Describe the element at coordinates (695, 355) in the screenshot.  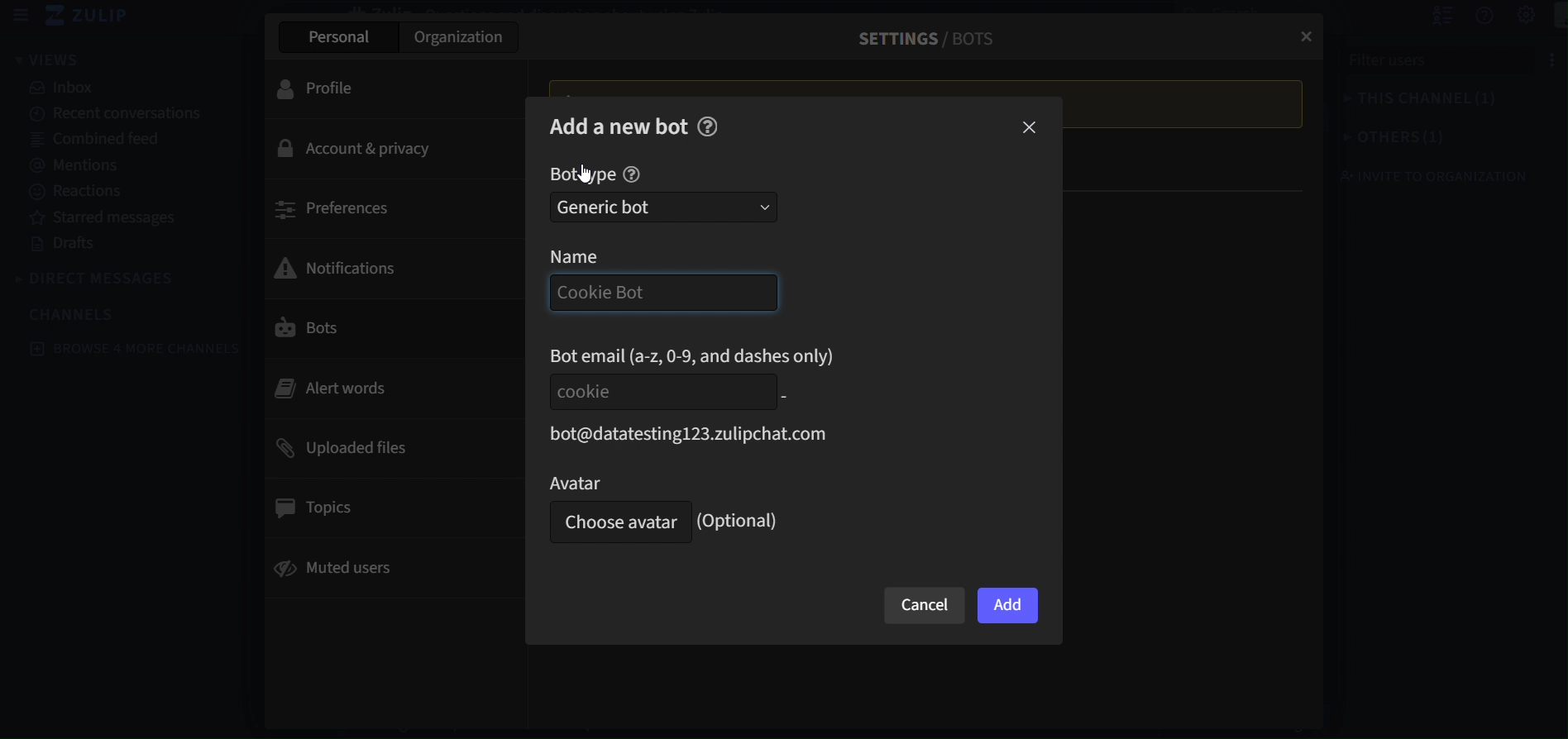
I see `bot email(a-z,0-9, and dashes only)` at that location.